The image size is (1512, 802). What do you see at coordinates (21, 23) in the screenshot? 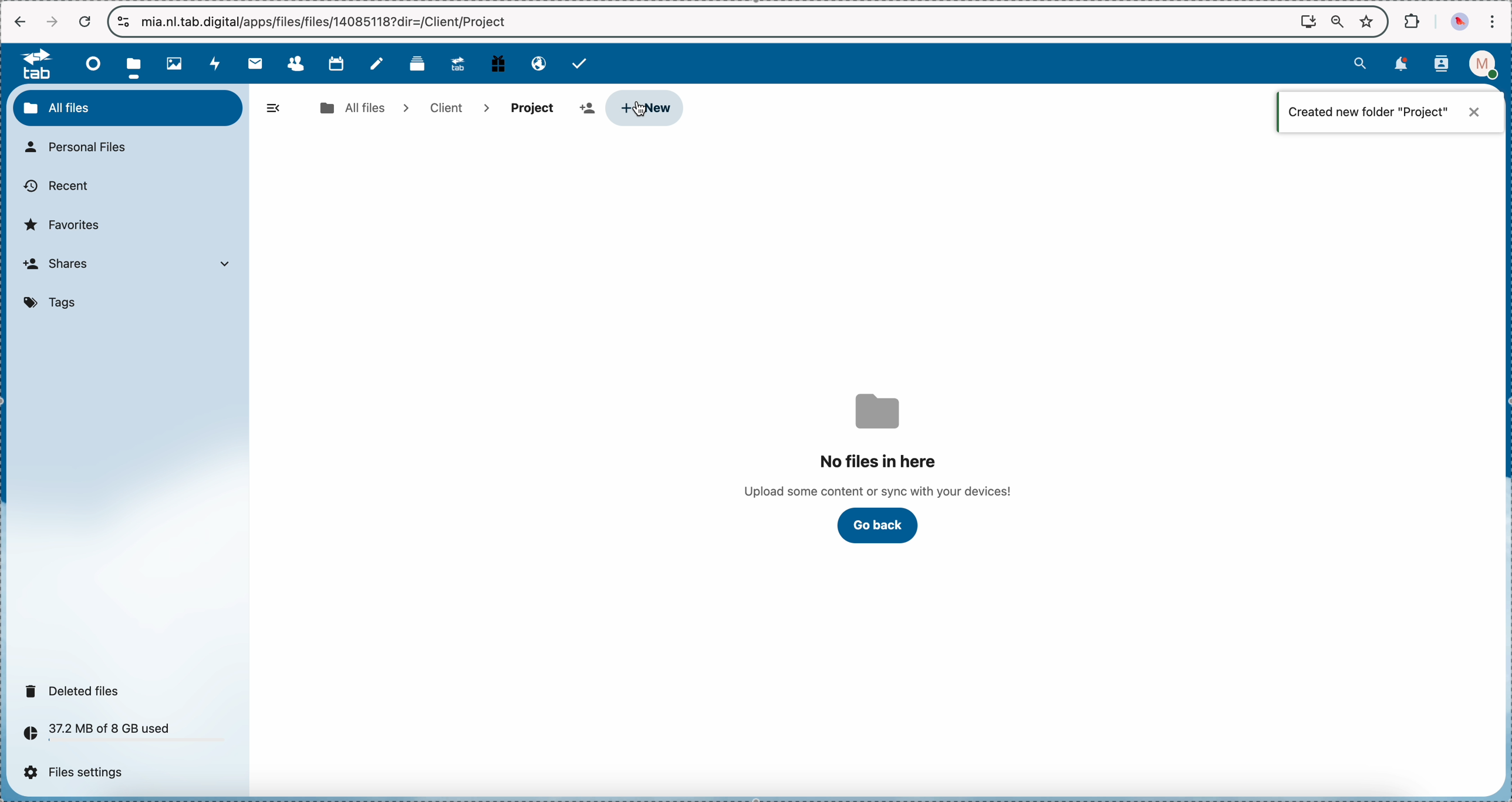
I see `navigate back` at bounding box center [21, 23].